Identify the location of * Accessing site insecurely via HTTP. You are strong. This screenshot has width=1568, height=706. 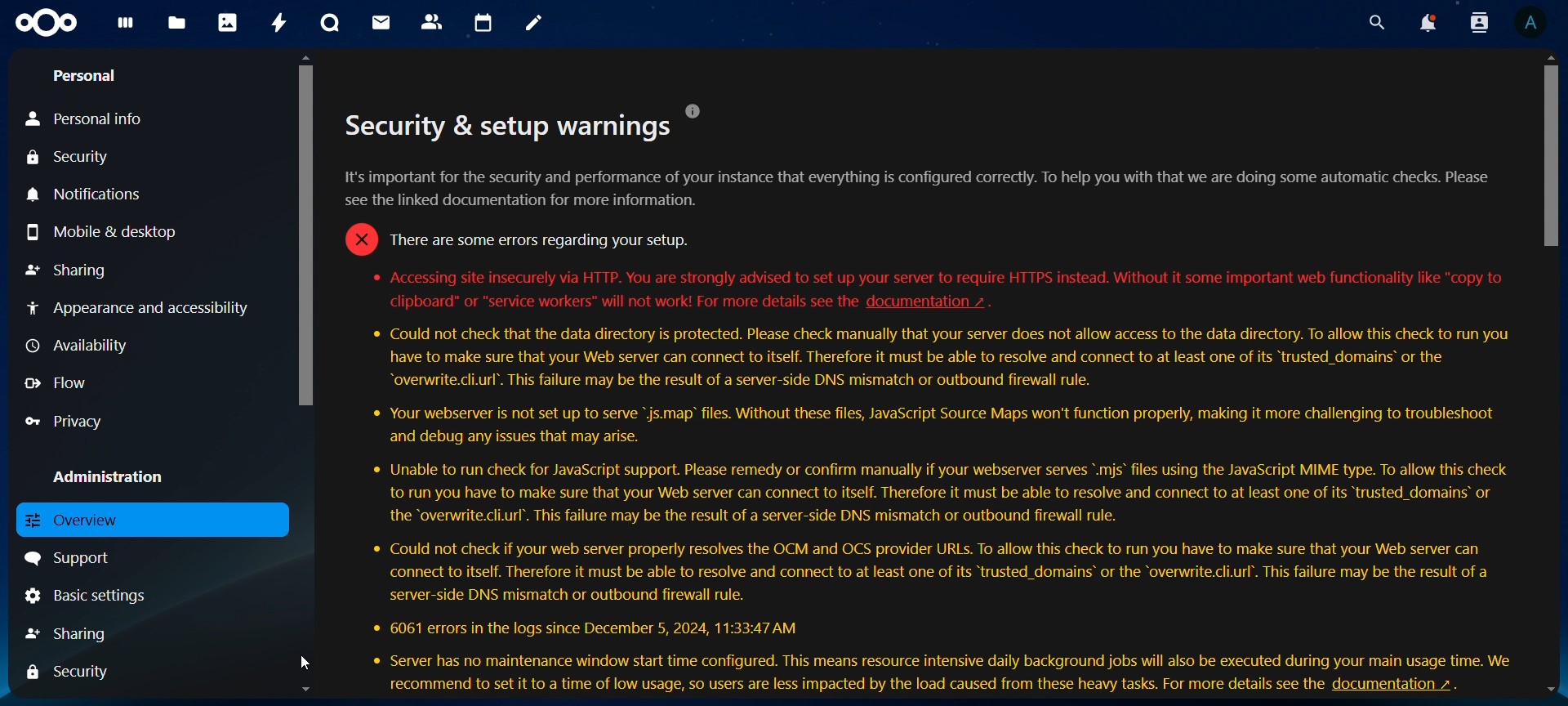
(520, 239).